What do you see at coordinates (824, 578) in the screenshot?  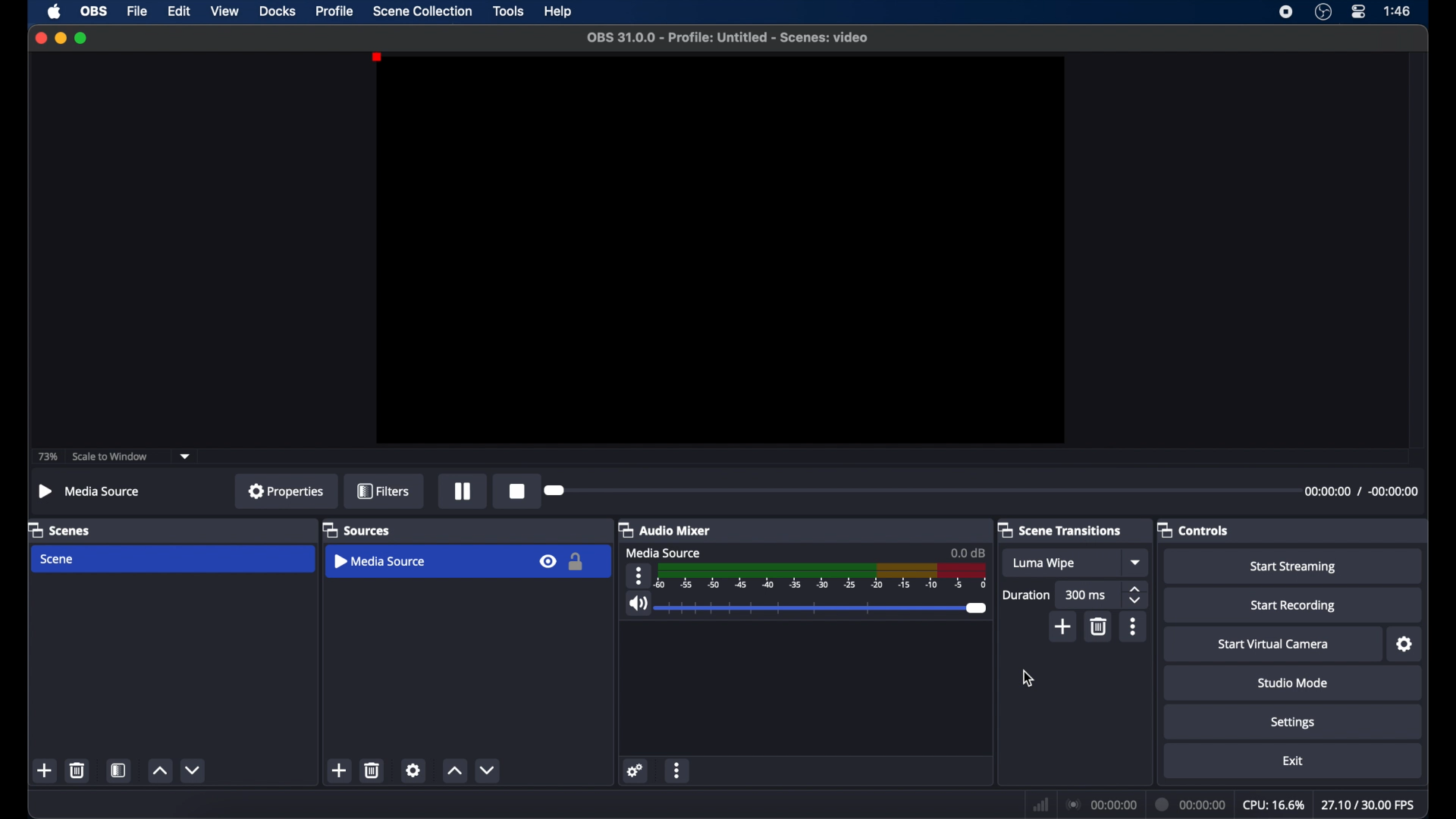 I see `timeline` at bounding box center [824, 578].